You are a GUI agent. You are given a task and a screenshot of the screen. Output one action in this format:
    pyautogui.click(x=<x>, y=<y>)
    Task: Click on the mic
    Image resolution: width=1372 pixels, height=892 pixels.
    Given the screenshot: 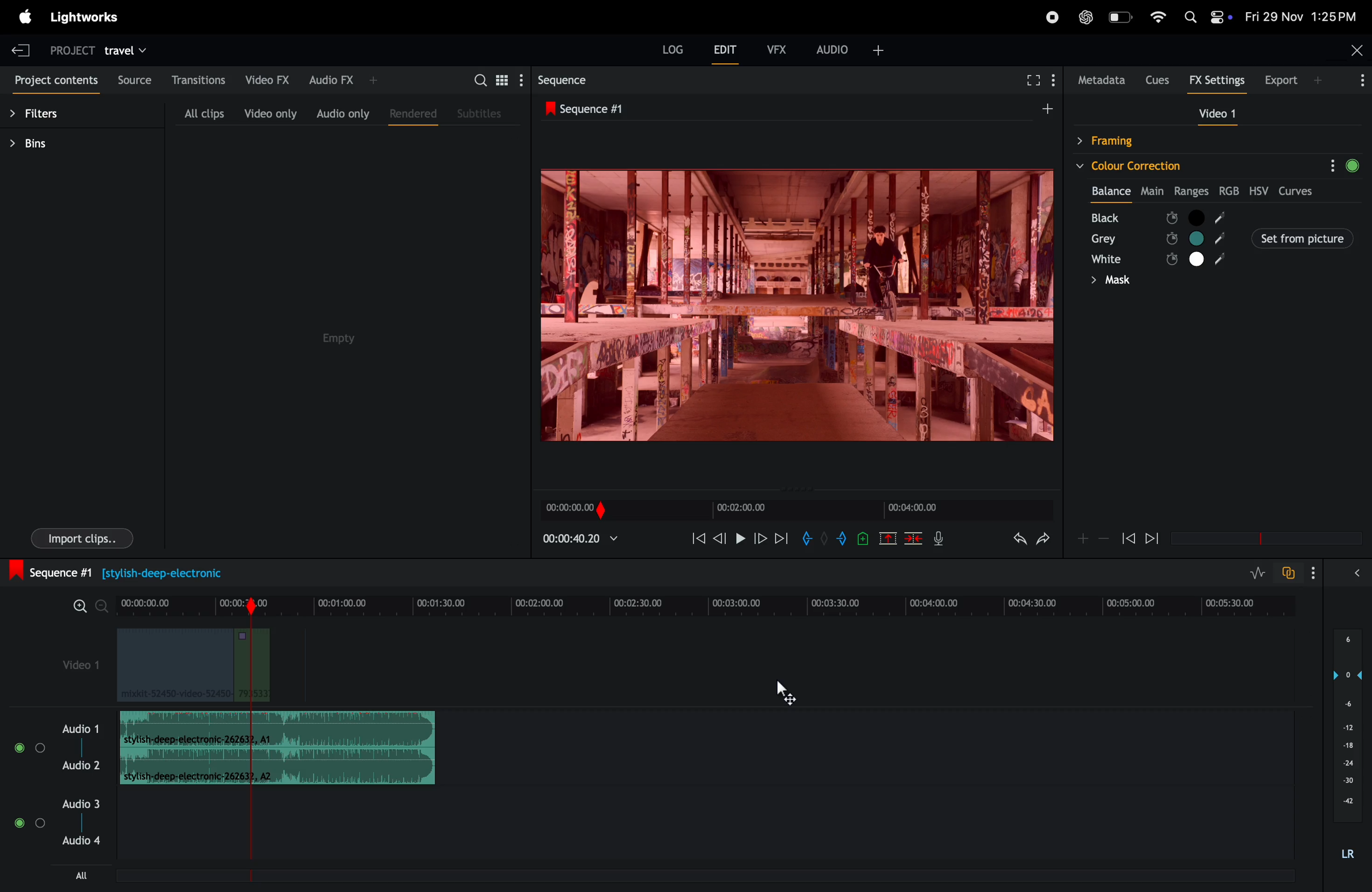 What is the action you would take?
    pyautogui.click(x=942, y=538)
    